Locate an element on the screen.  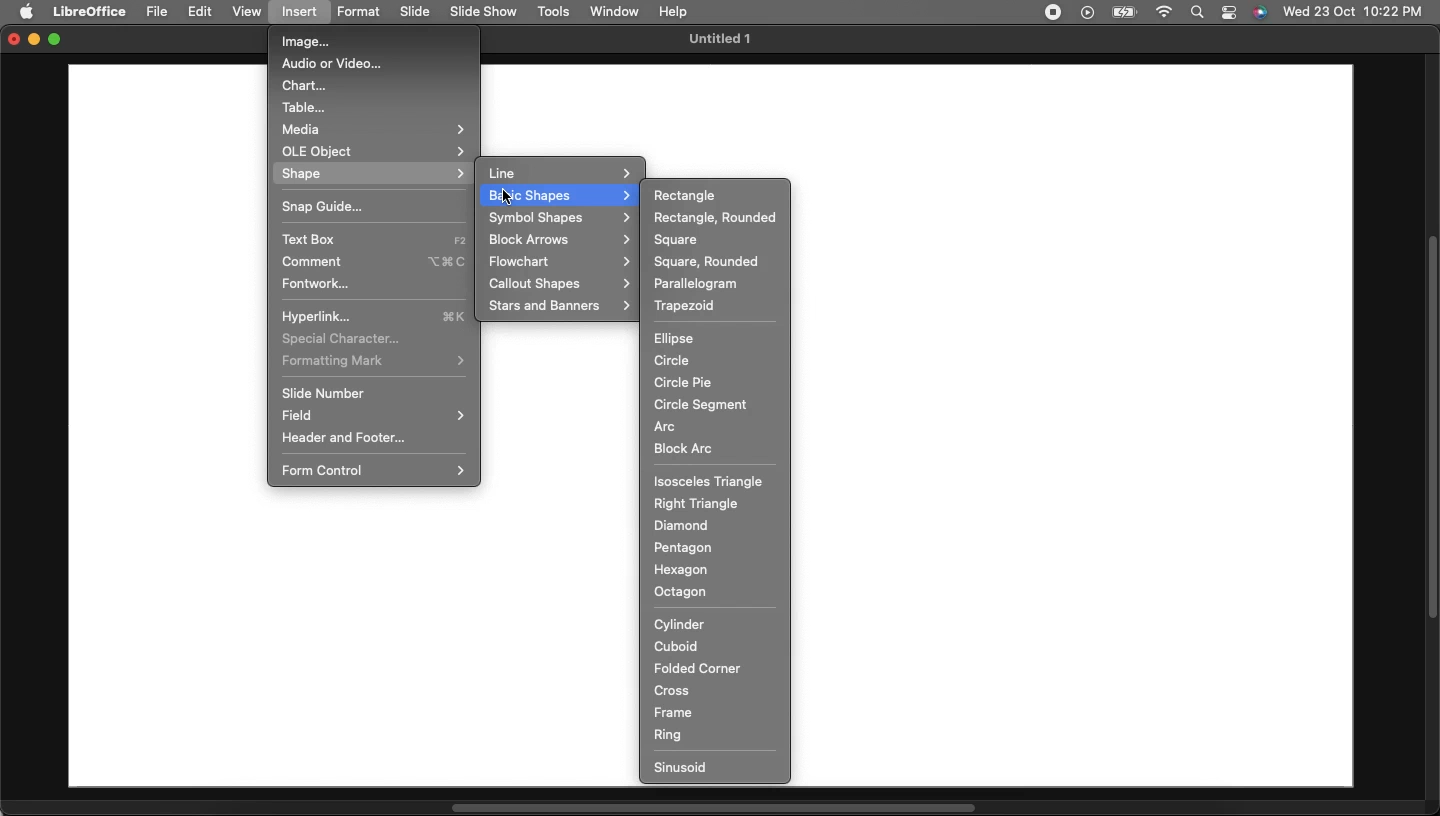
Text box is located at coordinates (374, 239).